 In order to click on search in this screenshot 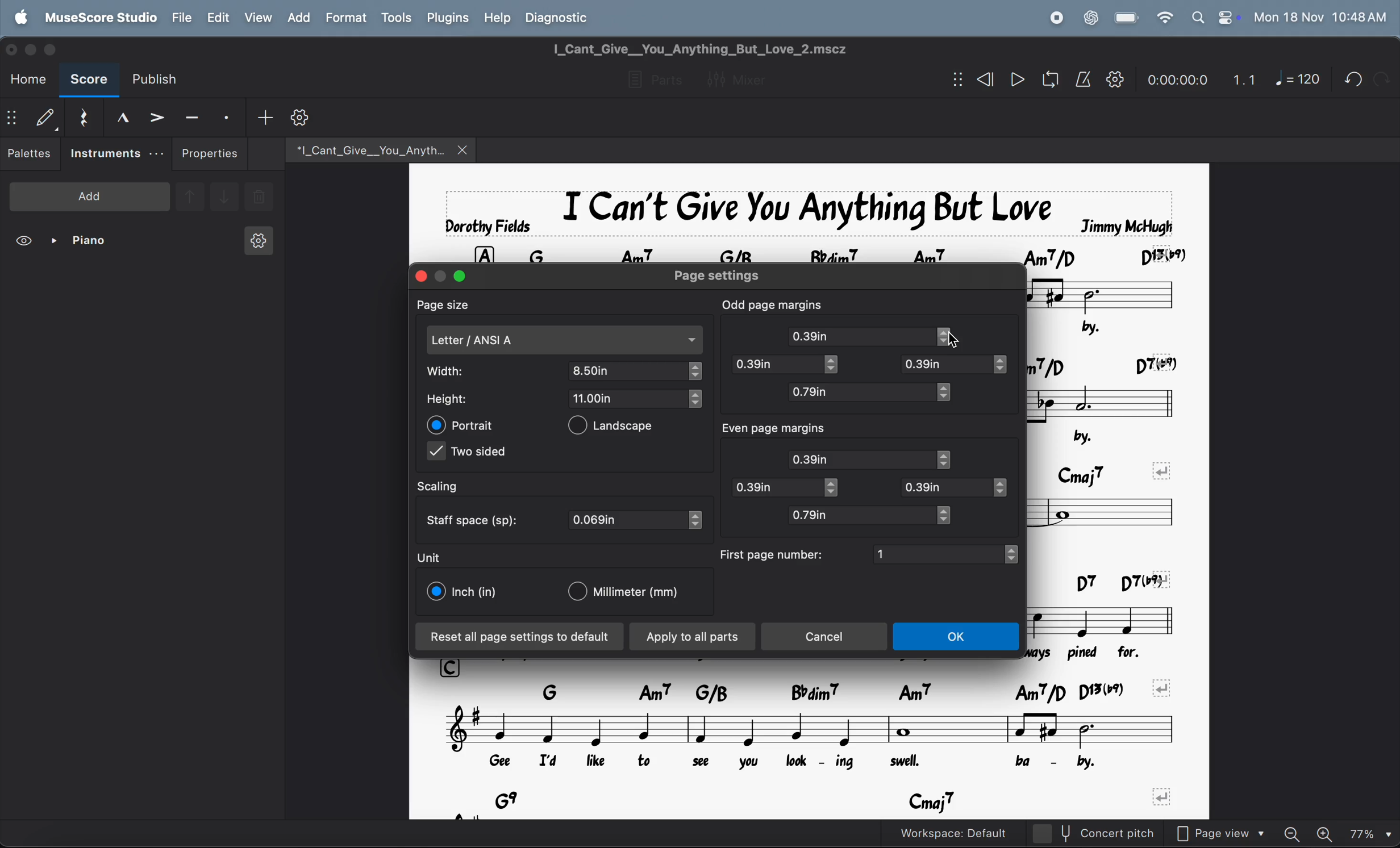, I will do `click(1197, 17)`.